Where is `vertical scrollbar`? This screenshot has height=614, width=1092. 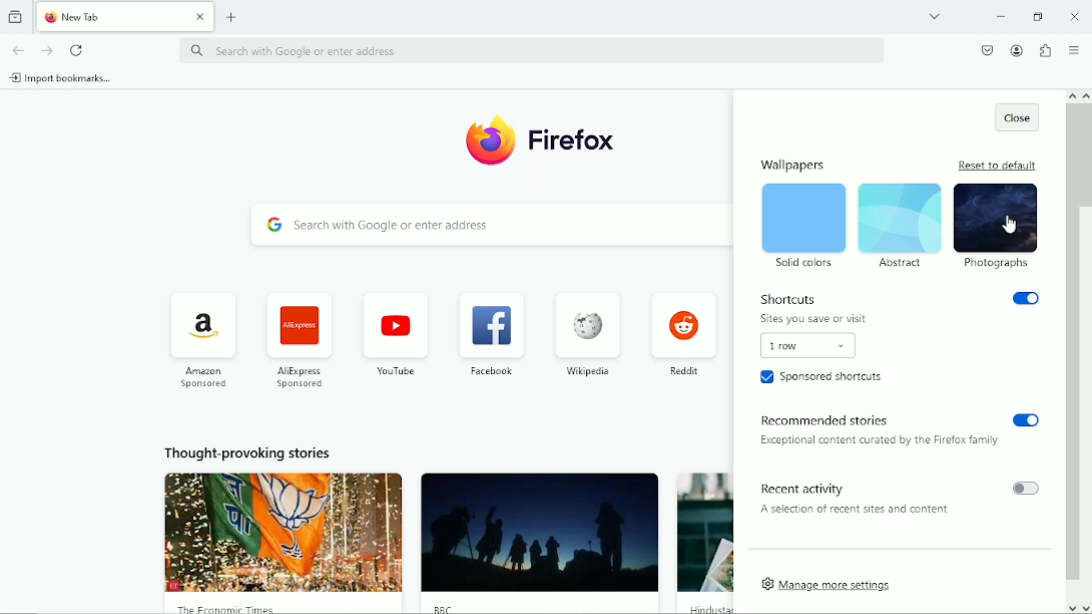
vertical scrollbar is located at coordinates (1068, 352).